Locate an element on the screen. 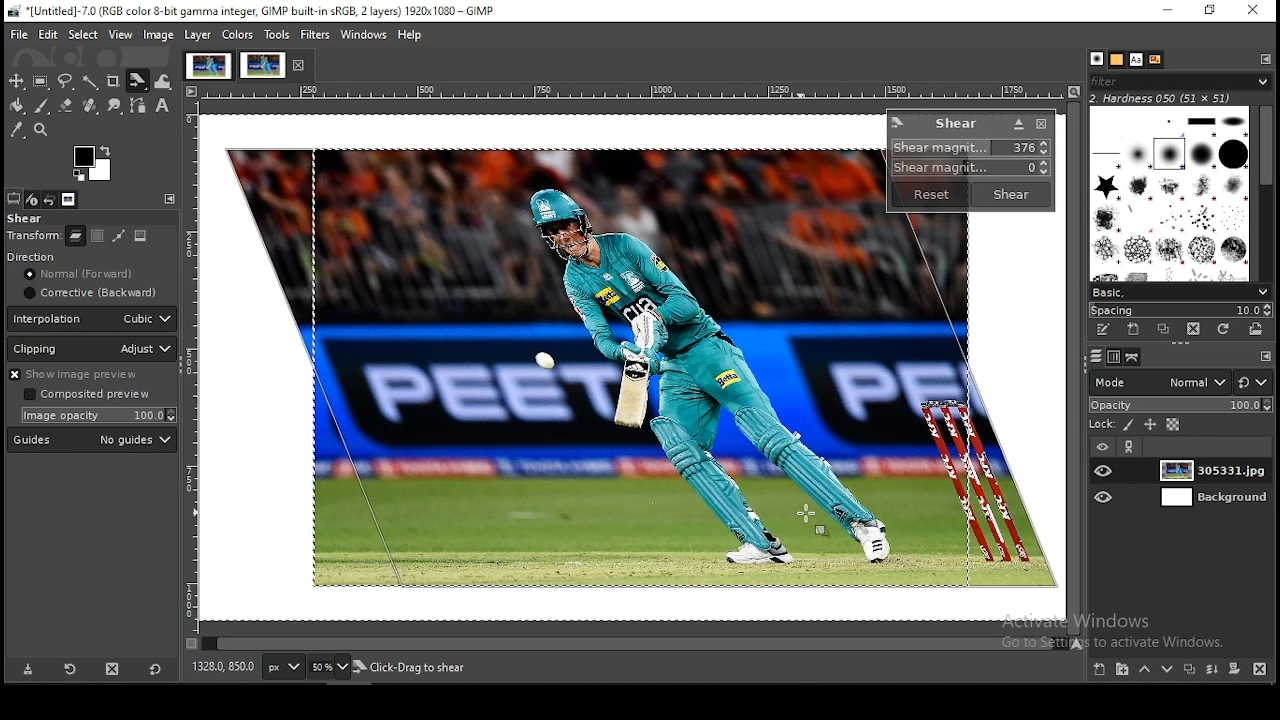 Image resolution: width=1280 pixels, height=720 pixels. tool options is located at coordinates (13, 199).